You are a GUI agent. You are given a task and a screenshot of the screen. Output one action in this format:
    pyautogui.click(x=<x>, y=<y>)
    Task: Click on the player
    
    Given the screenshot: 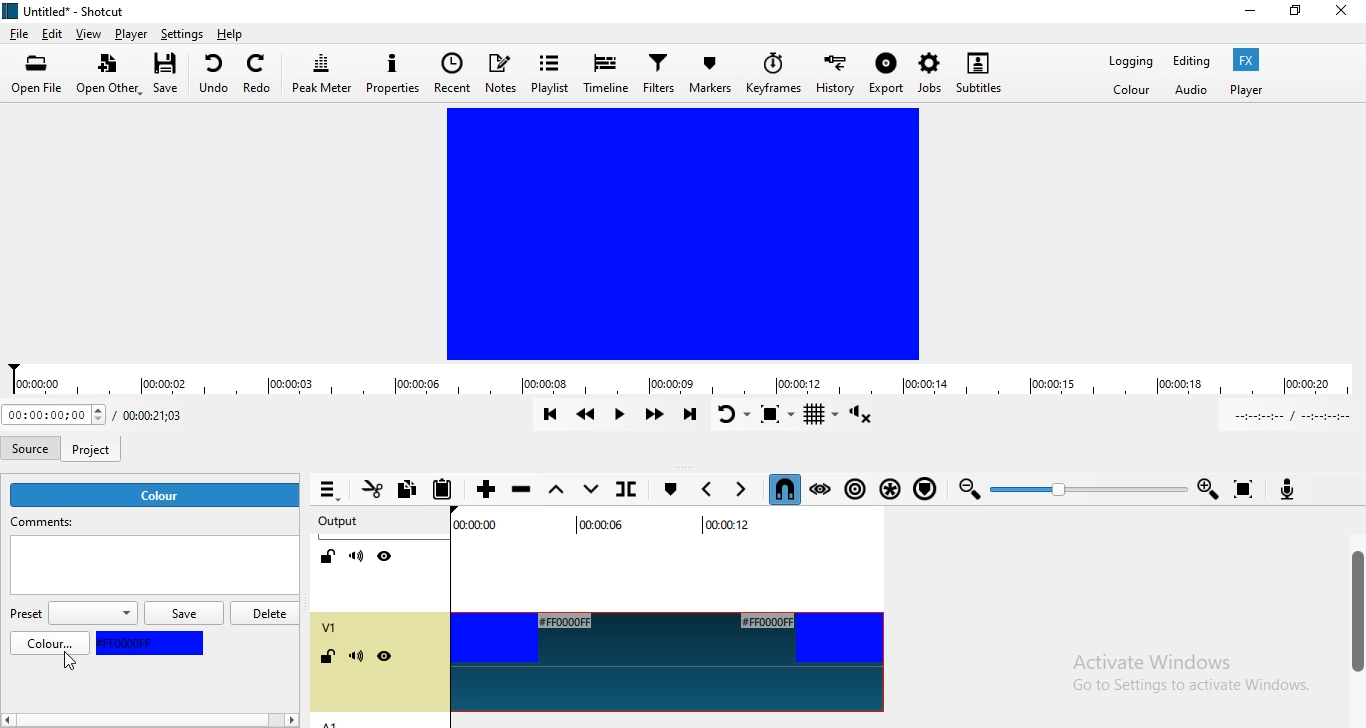 What is the action you would take?
    pyautogui.click(x=1246, y=90)
    